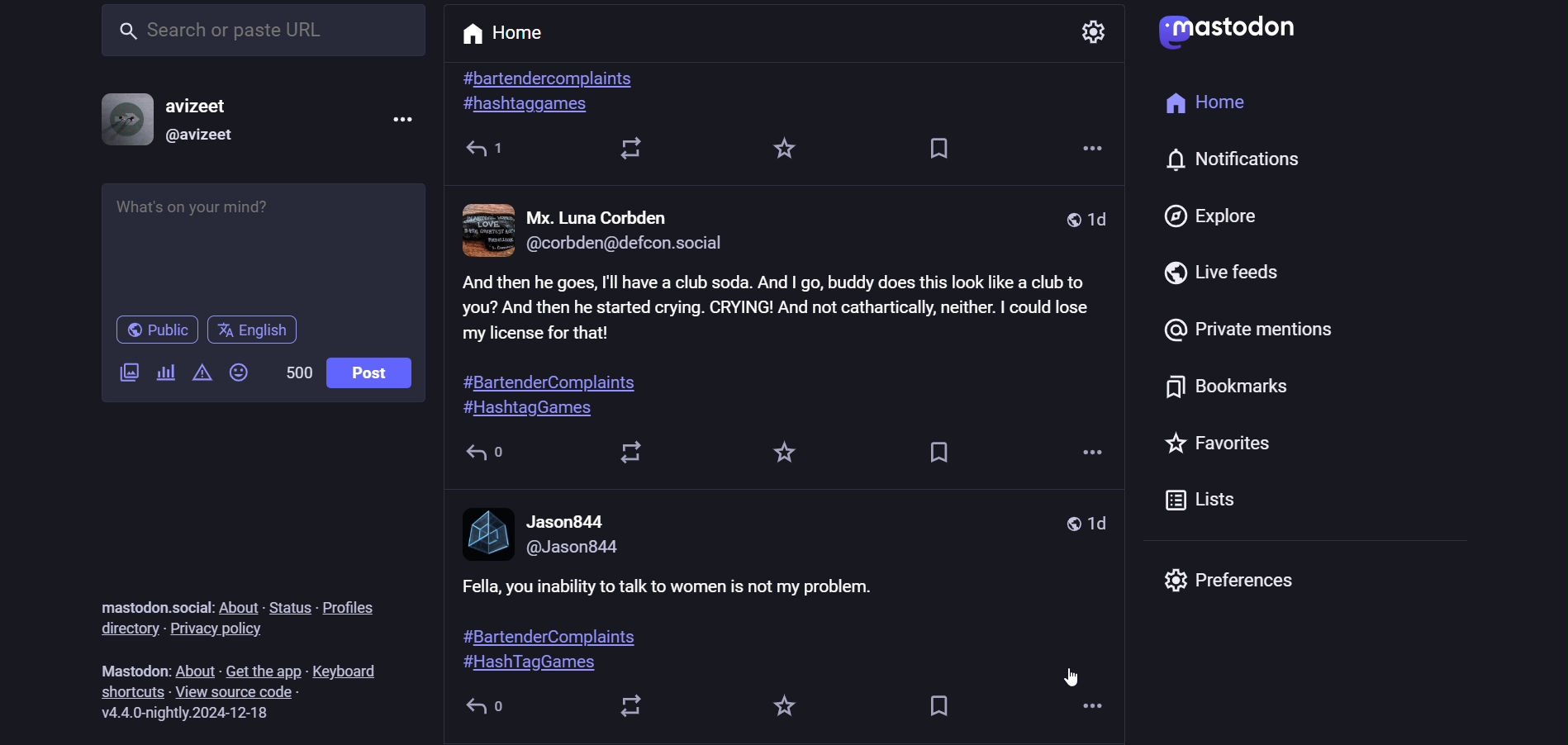 This screenshot has width=1568, height=745. What do you see at coordinates (256, 328) in the screenshot?
I see `english` at bounding box center [256, 328].